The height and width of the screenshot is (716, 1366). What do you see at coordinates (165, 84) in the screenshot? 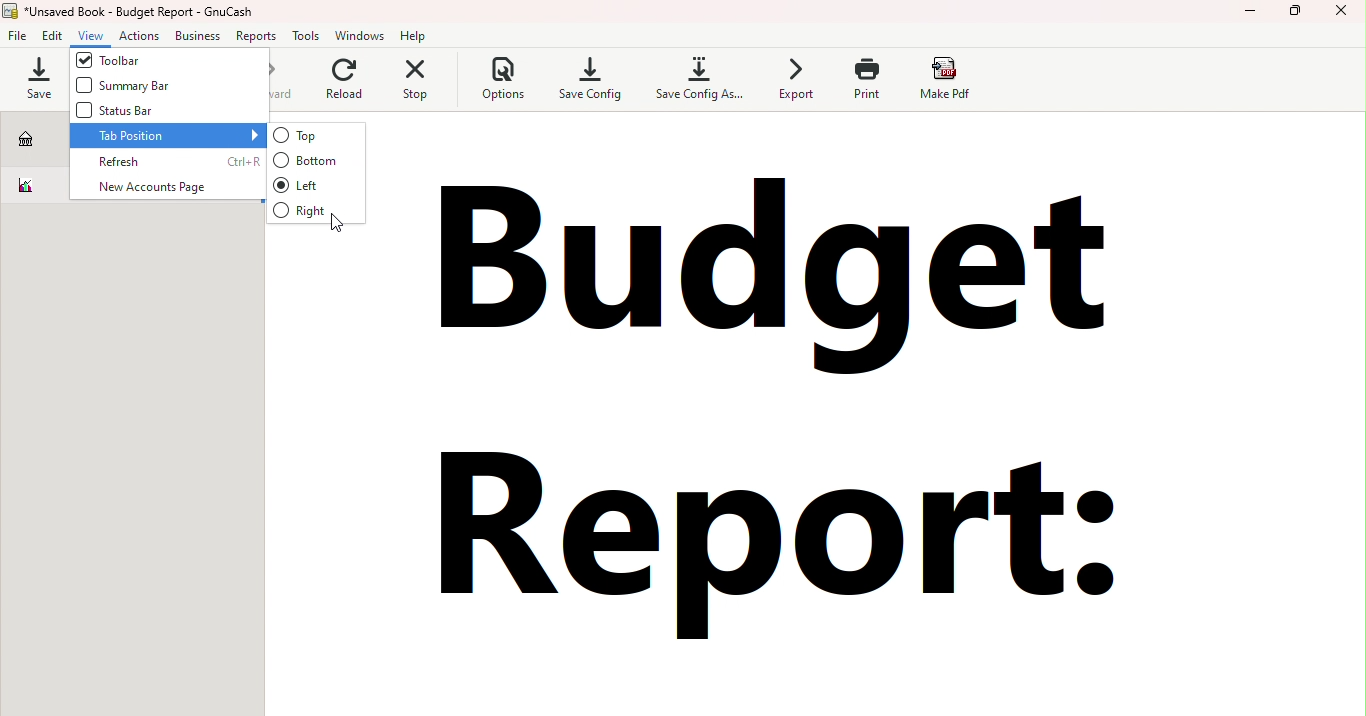
I see `Summary Bar` at bounding box center [165, 84].